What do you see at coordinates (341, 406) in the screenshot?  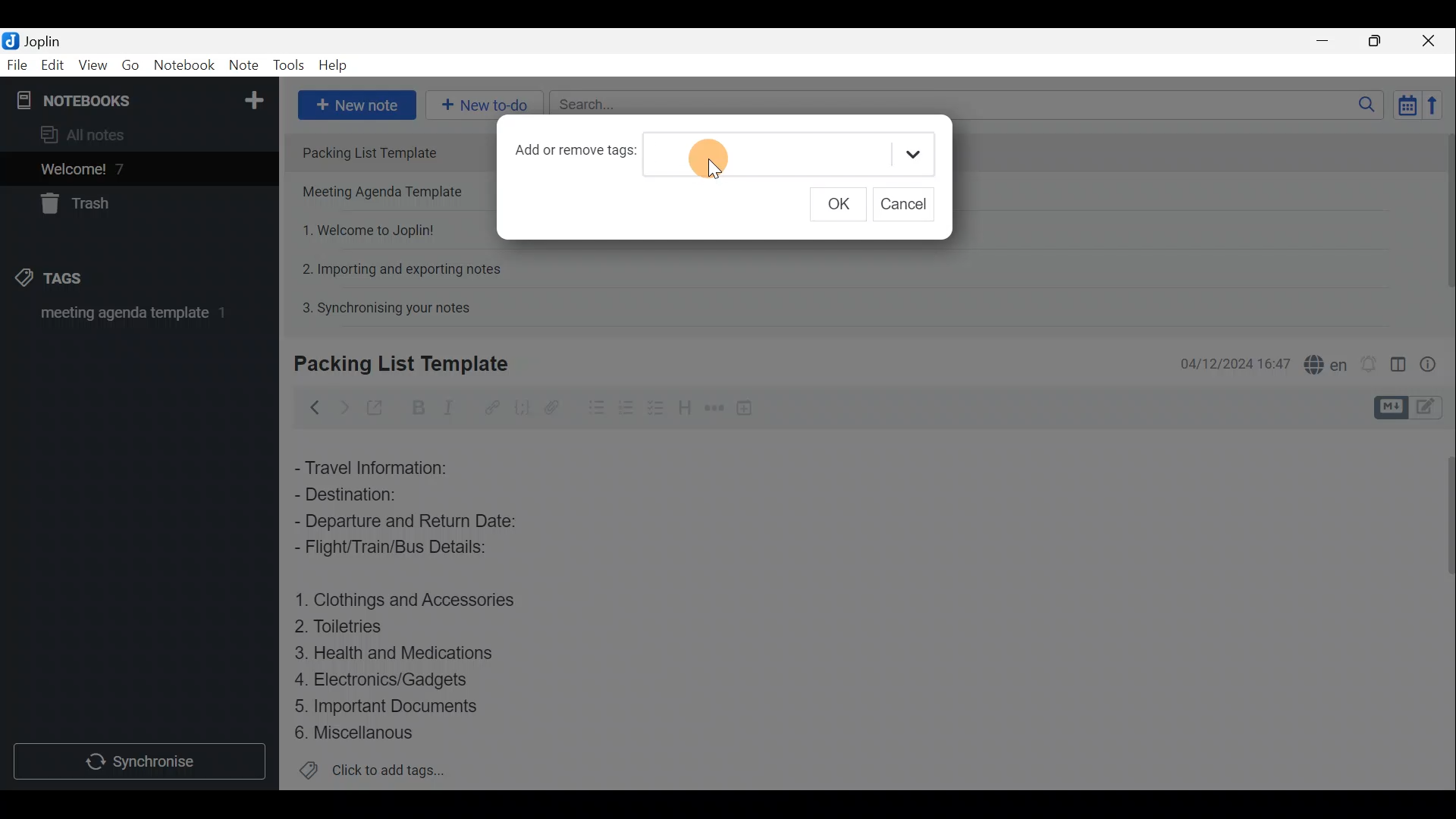 I see `Forward` at bounding box center [341, 406].